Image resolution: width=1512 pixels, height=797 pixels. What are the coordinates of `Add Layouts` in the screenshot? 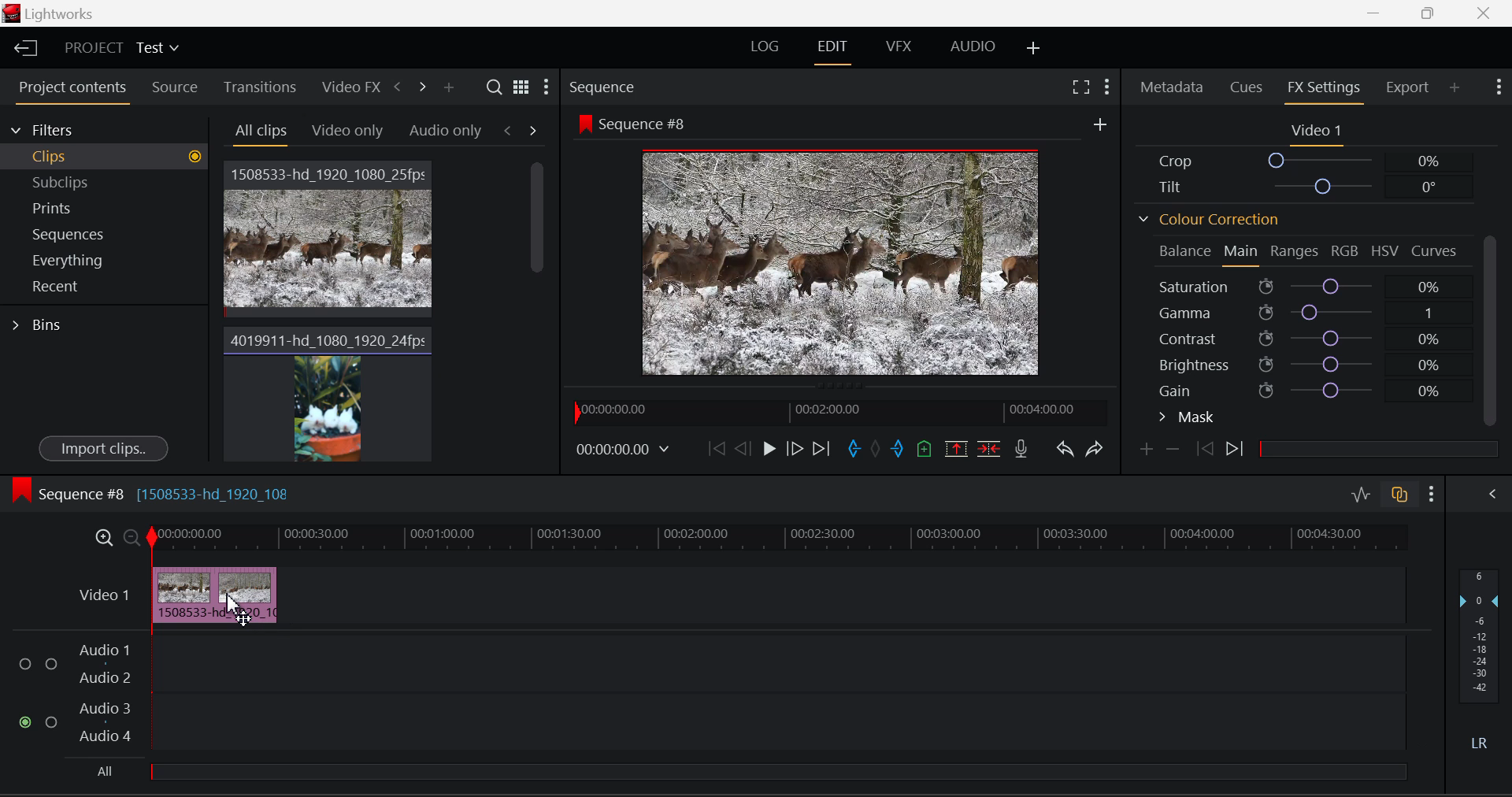 It's located at (1033, 46).